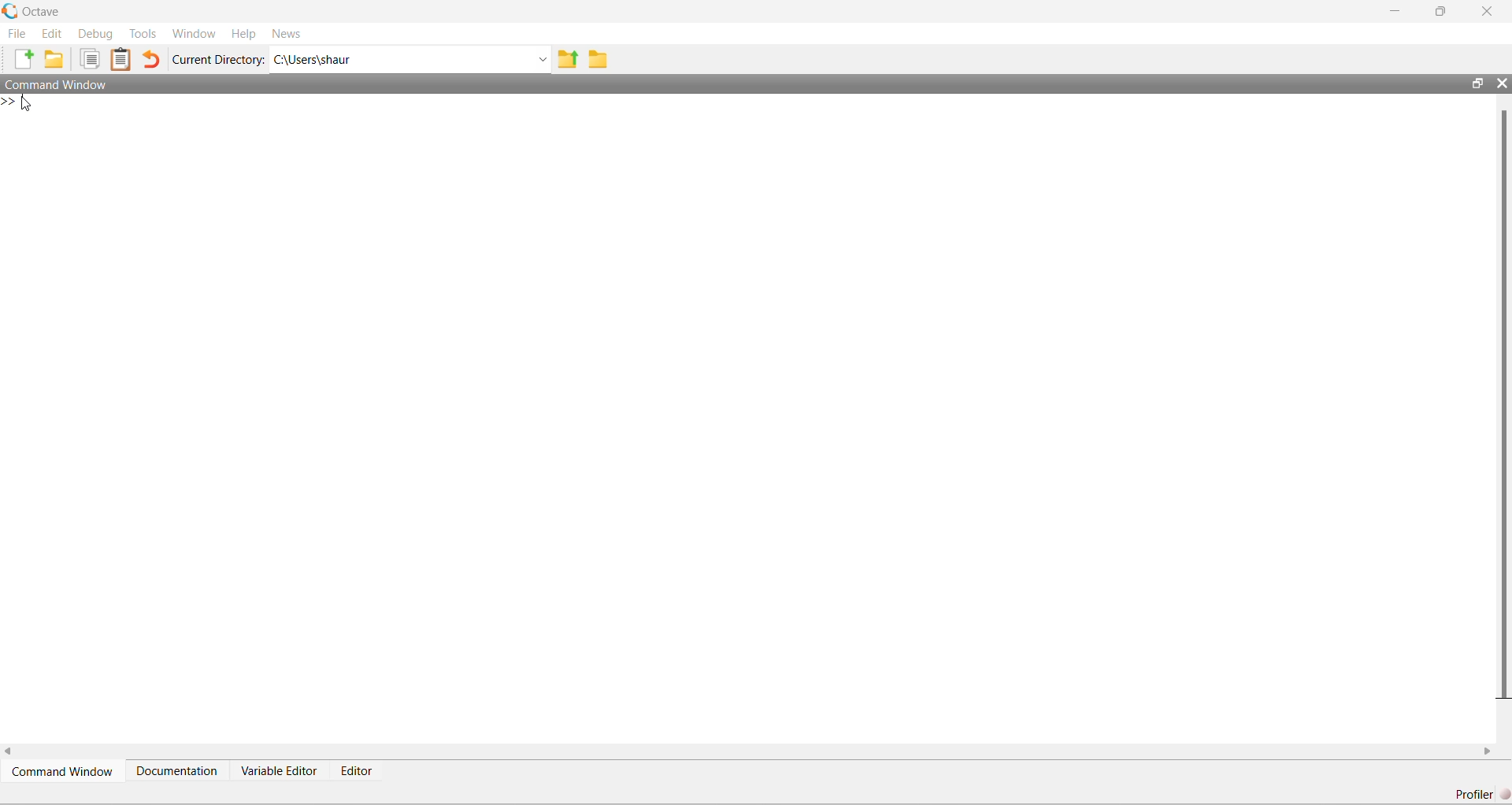 The image size is (1512, 805). What do you see at coordinates (1396, 10) in the screenshot?
I see `Minimize` at bounding box center [1396, 10].